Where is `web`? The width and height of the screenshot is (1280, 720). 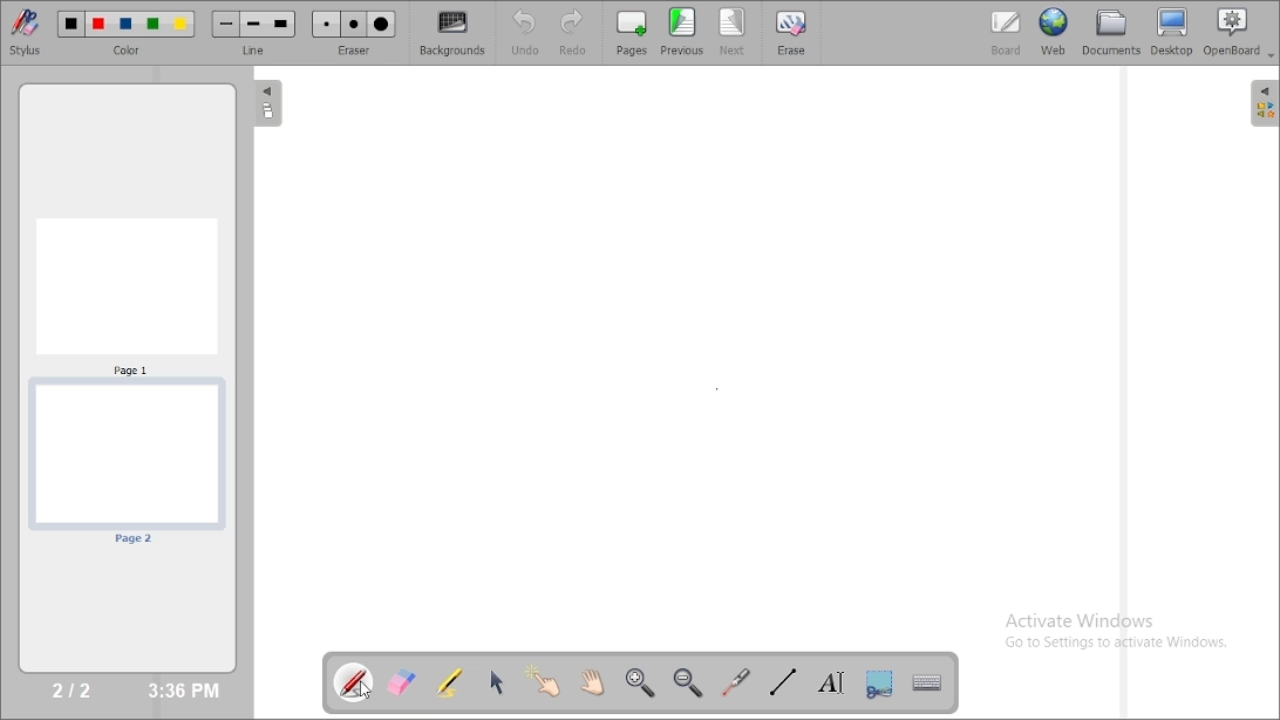
web is located at coordinates (1054, 31).